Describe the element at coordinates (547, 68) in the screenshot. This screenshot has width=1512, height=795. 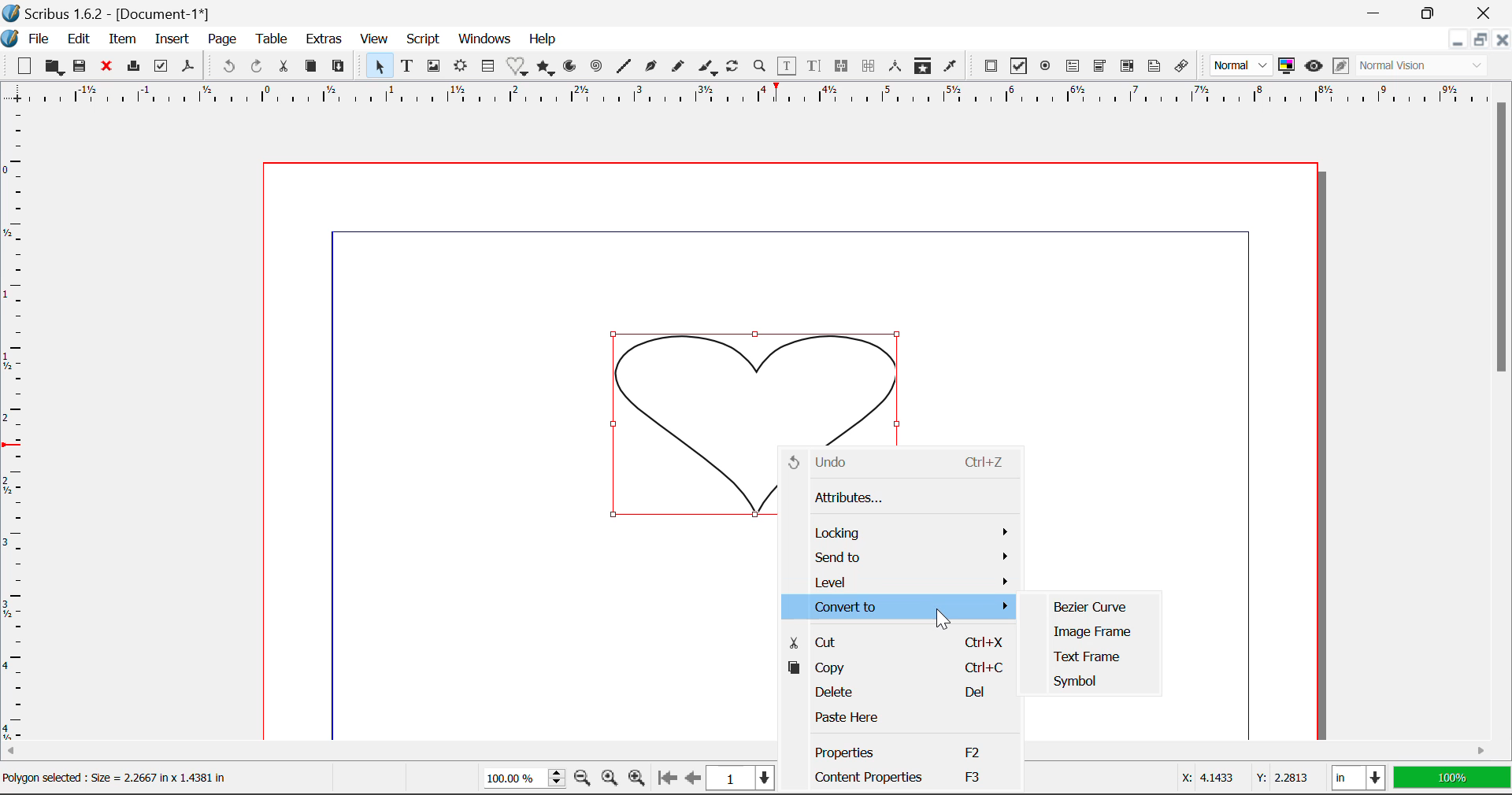
I see `Polygons` at that location.